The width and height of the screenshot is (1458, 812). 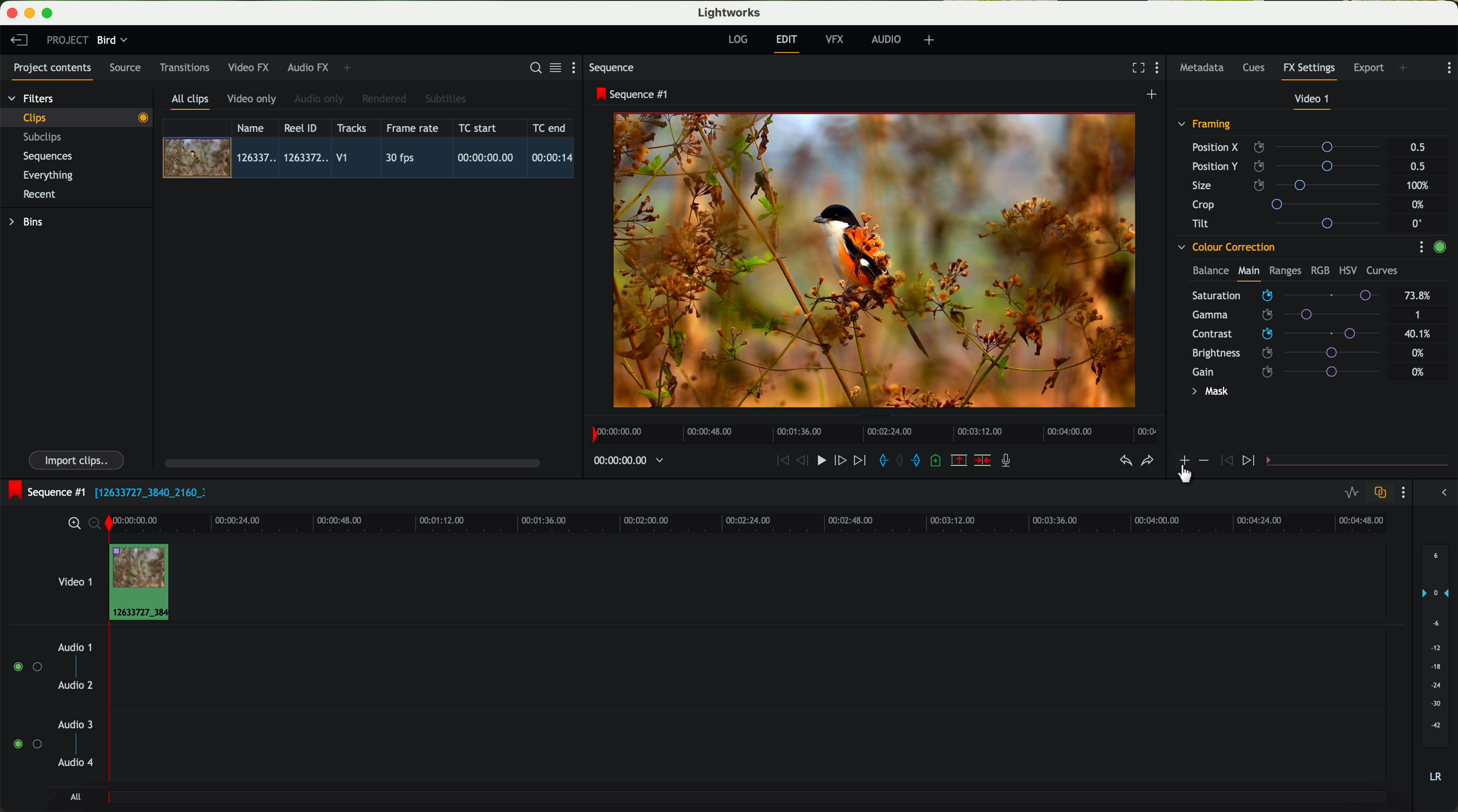 I want to click on size, so click(x=1289, y=186).